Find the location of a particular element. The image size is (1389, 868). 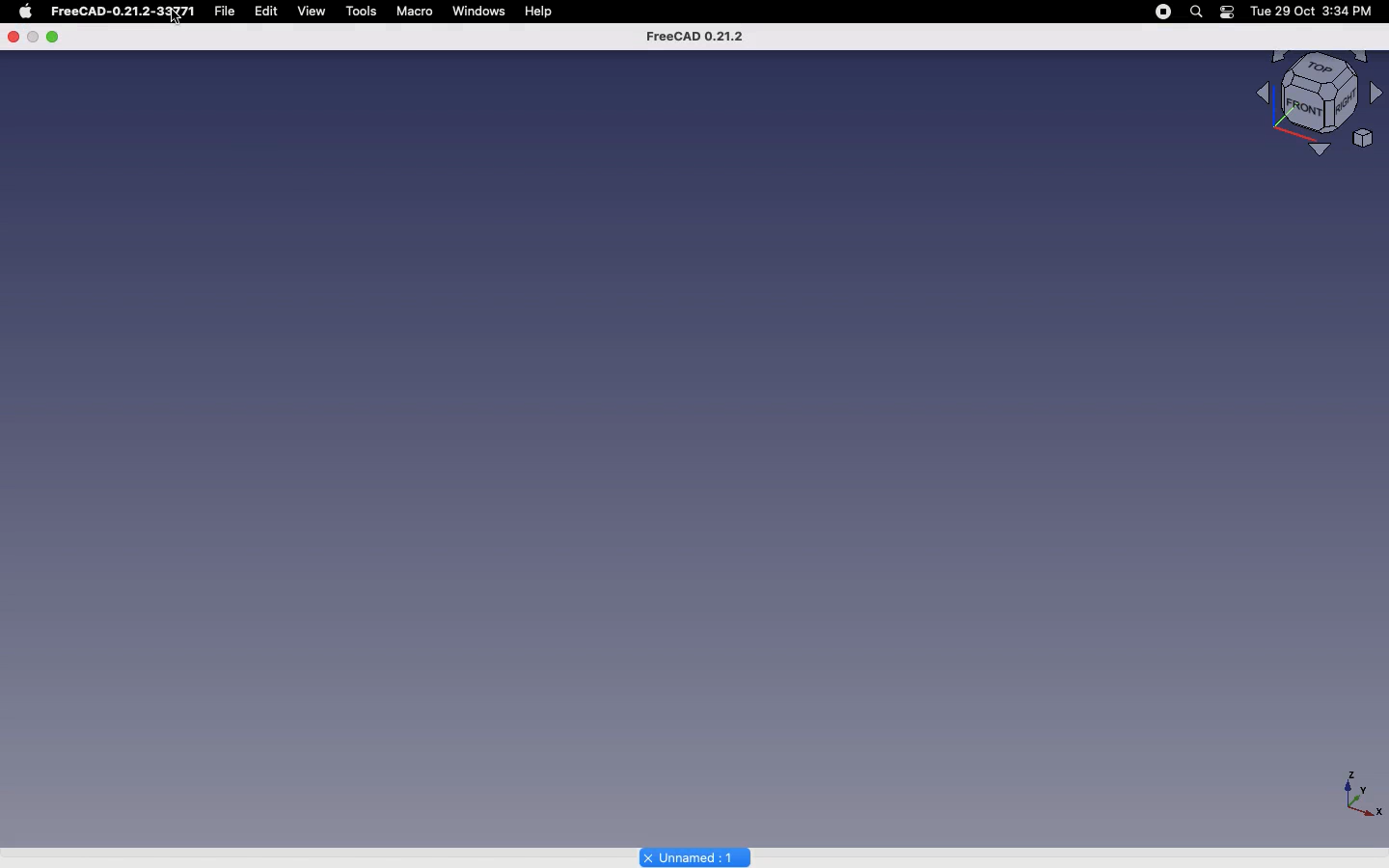

FreeCAD 0.21.2 is located at coordinates (695, 38).